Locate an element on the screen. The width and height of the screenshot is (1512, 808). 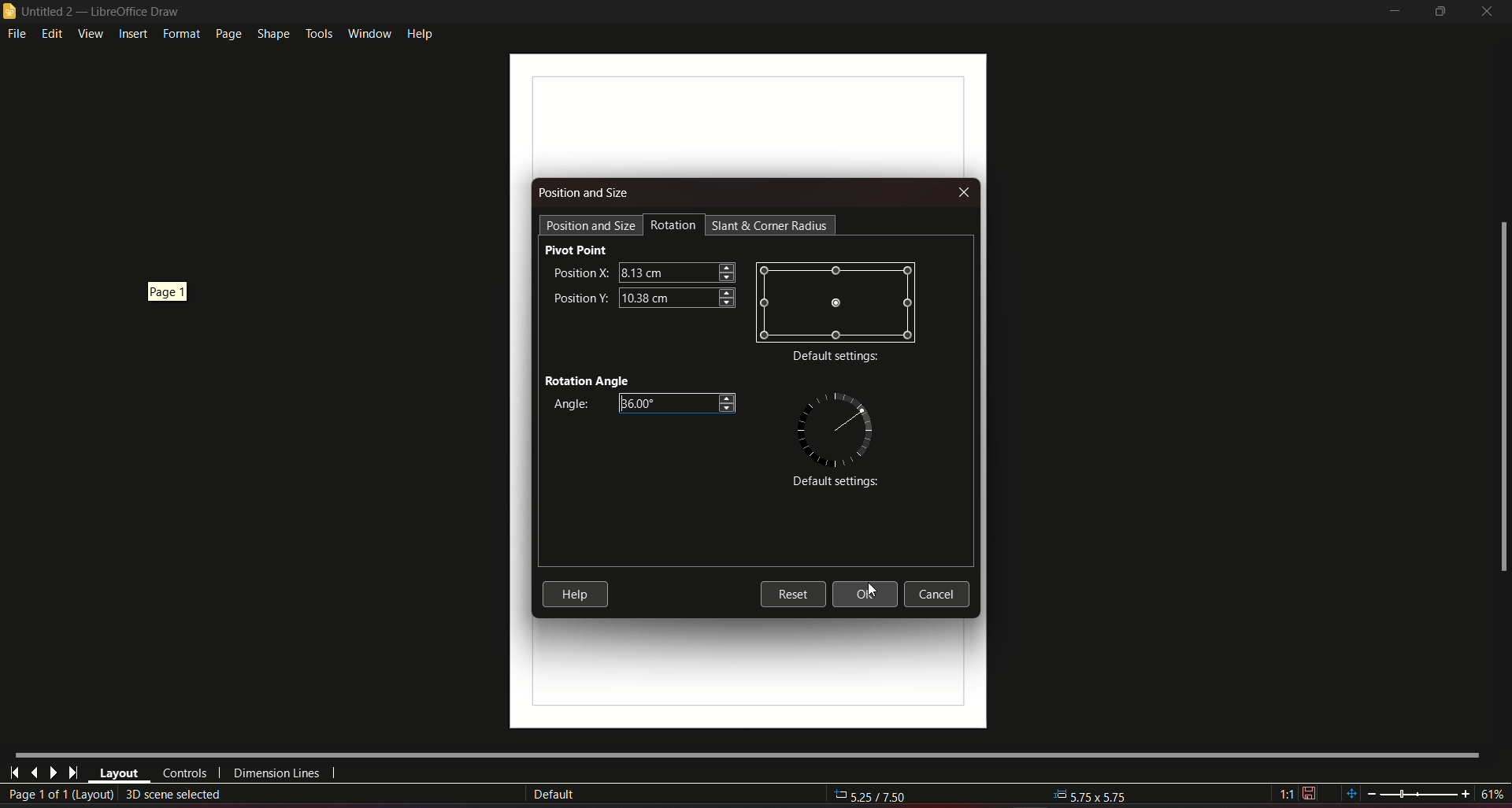
Reset is located at coordinates (792, 593).